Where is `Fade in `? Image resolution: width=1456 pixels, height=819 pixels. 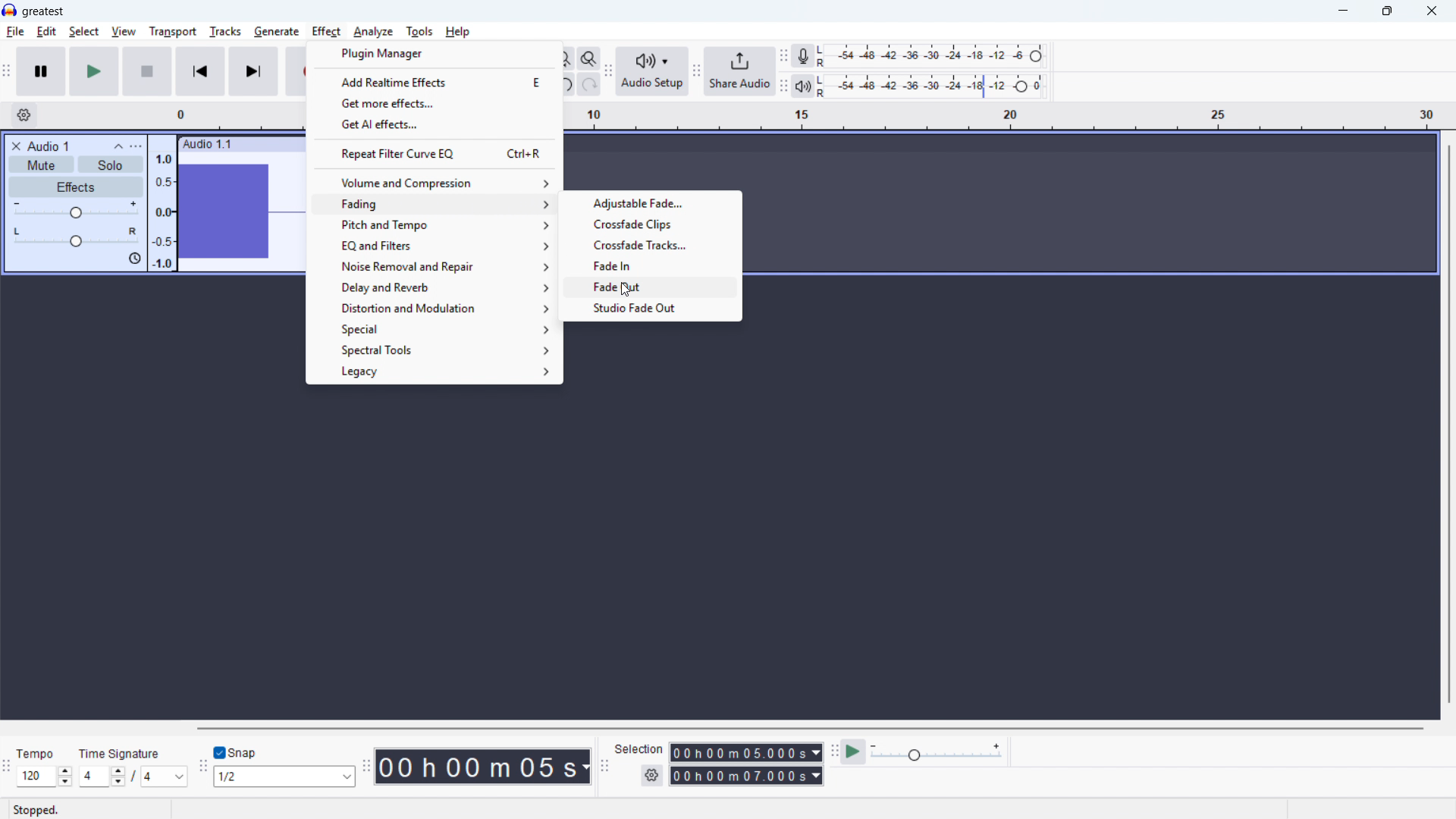
Fade in  is located at coordinates (654, 265).